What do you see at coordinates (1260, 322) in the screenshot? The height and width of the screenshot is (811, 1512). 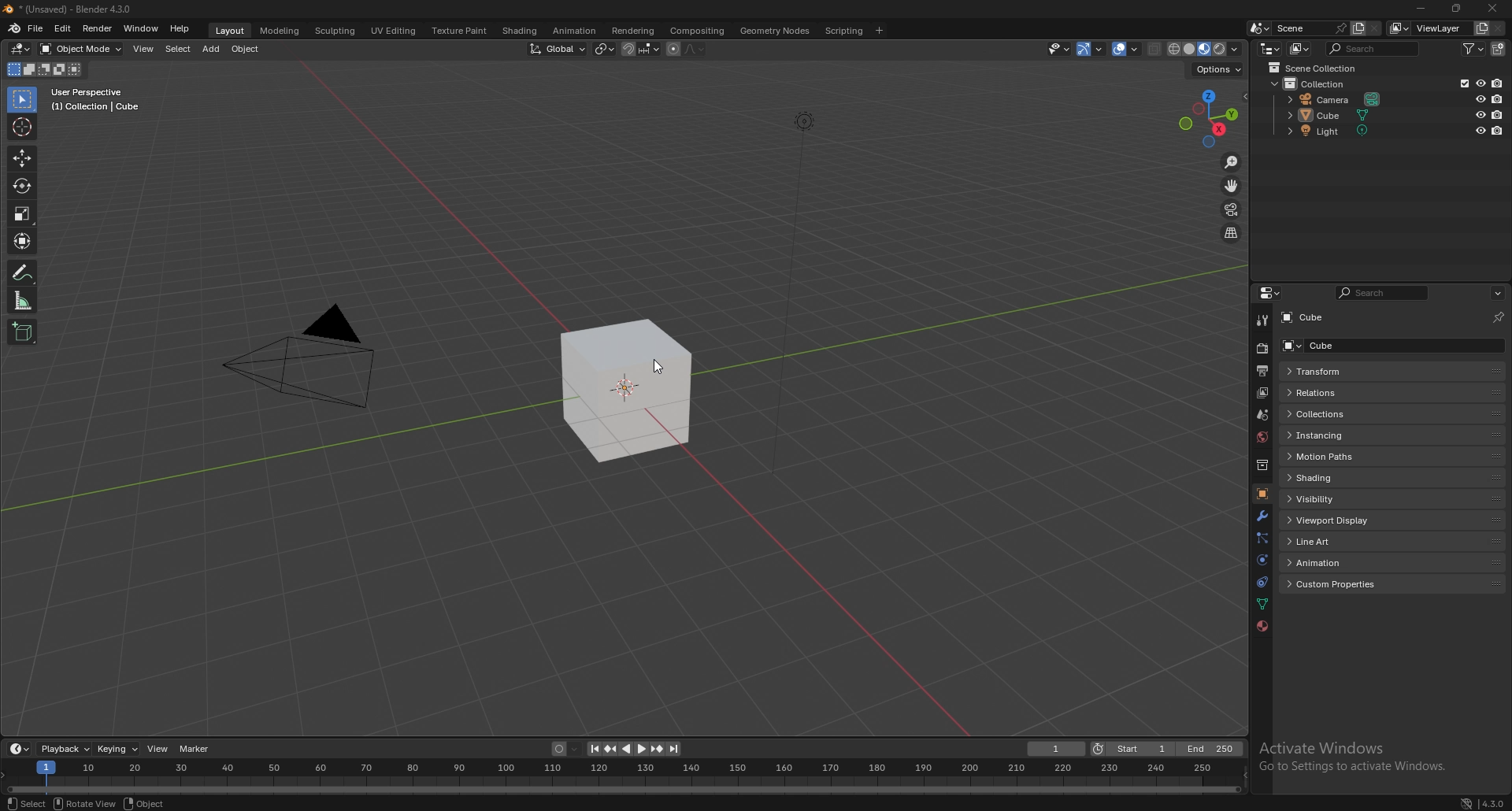 I see `tool` at bounding box center [1260, 322].